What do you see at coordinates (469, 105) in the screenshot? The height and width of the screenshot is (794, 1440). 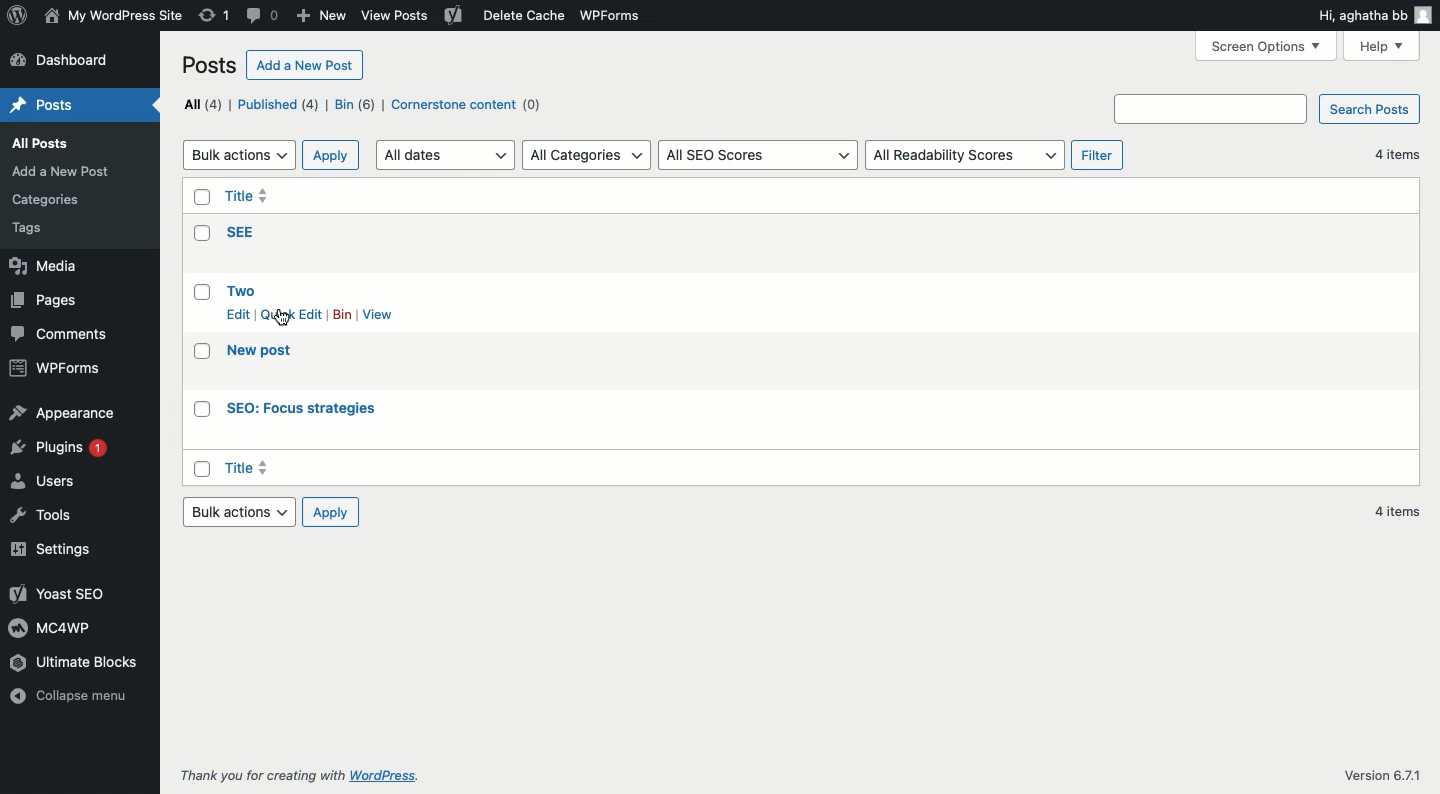 I see `Cornerstone content` at bounding box center [469, 105].